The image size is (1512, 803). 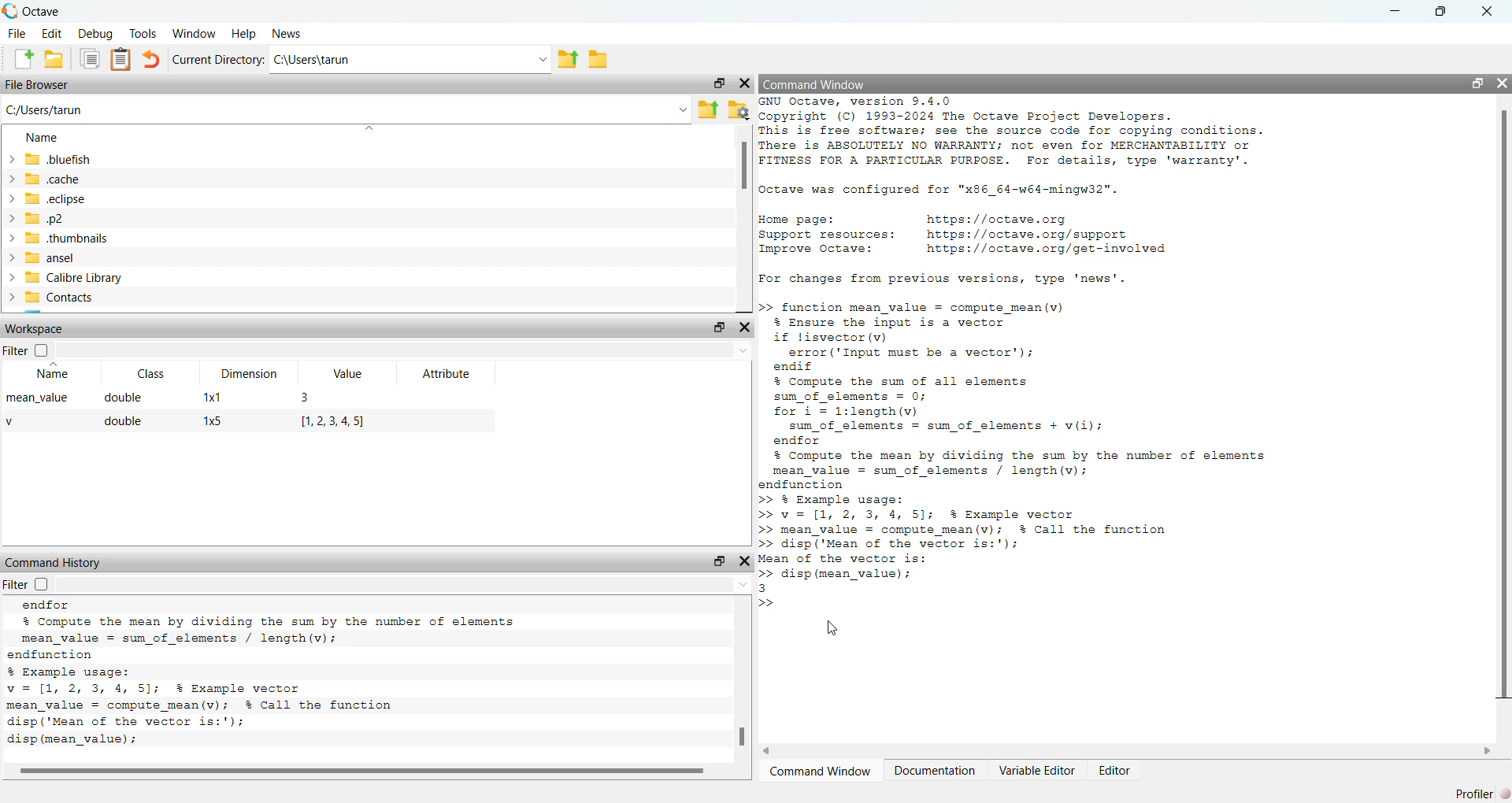 I want to click on Attribute, so click(x=448, y=374).